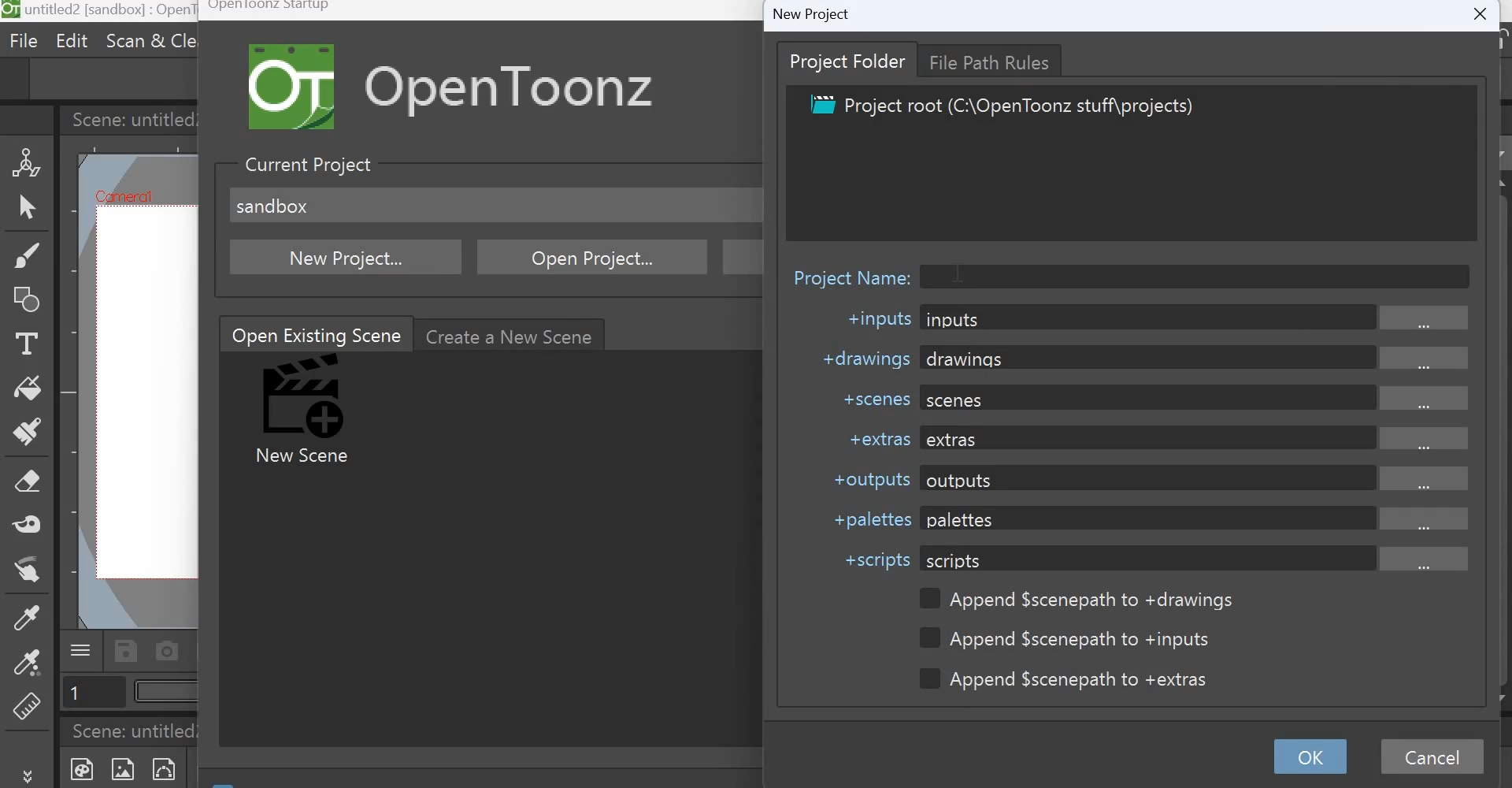 The height and width of the screenshot is (788, 1512). What do you see at coordinates (1195, 558) in the screenshot?
I see `scripts` at bounding box center [1195, 558].